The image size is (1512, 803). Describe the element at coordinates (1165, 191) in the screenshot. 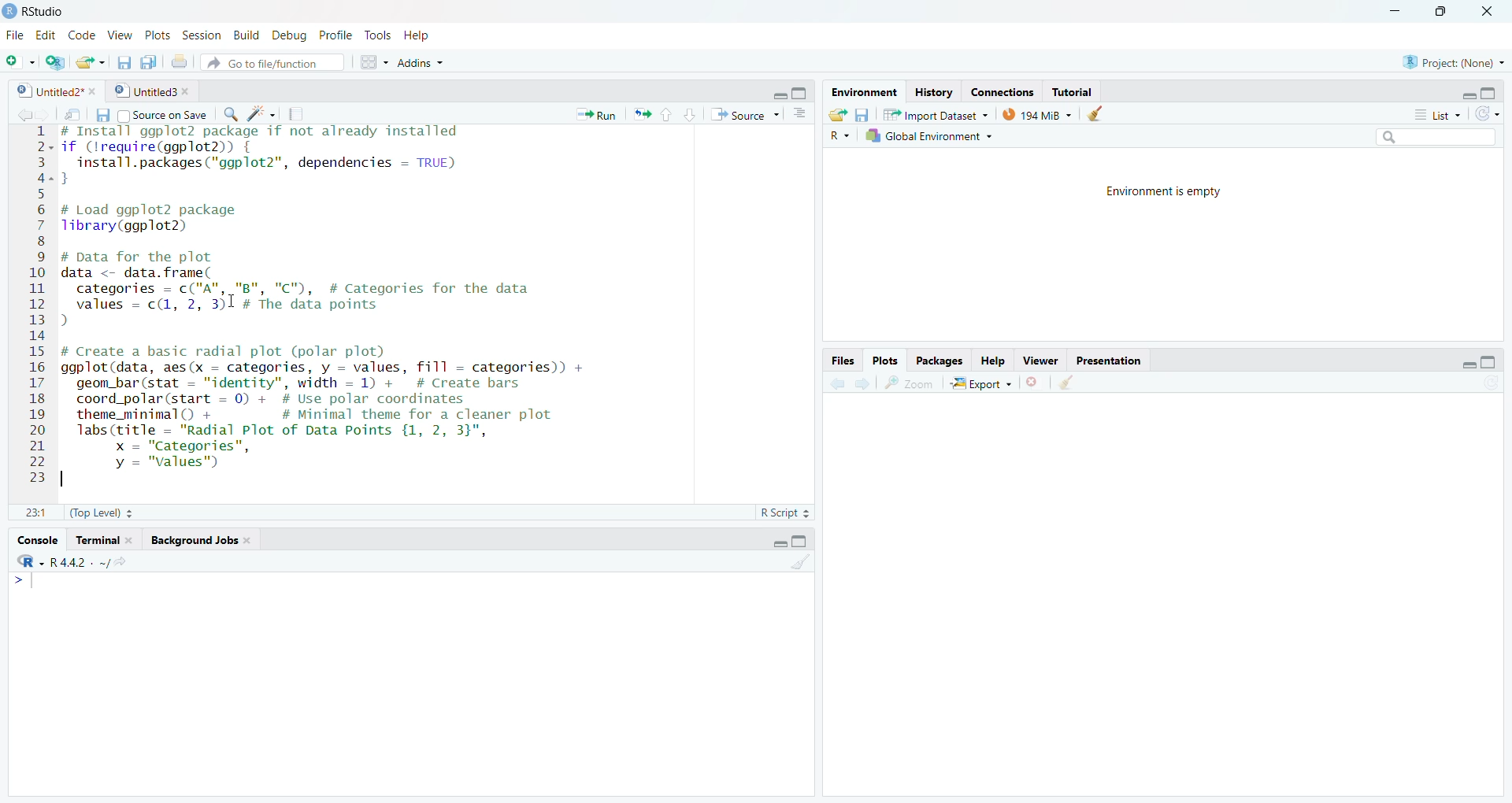

I see `Environment is empty` at that location.